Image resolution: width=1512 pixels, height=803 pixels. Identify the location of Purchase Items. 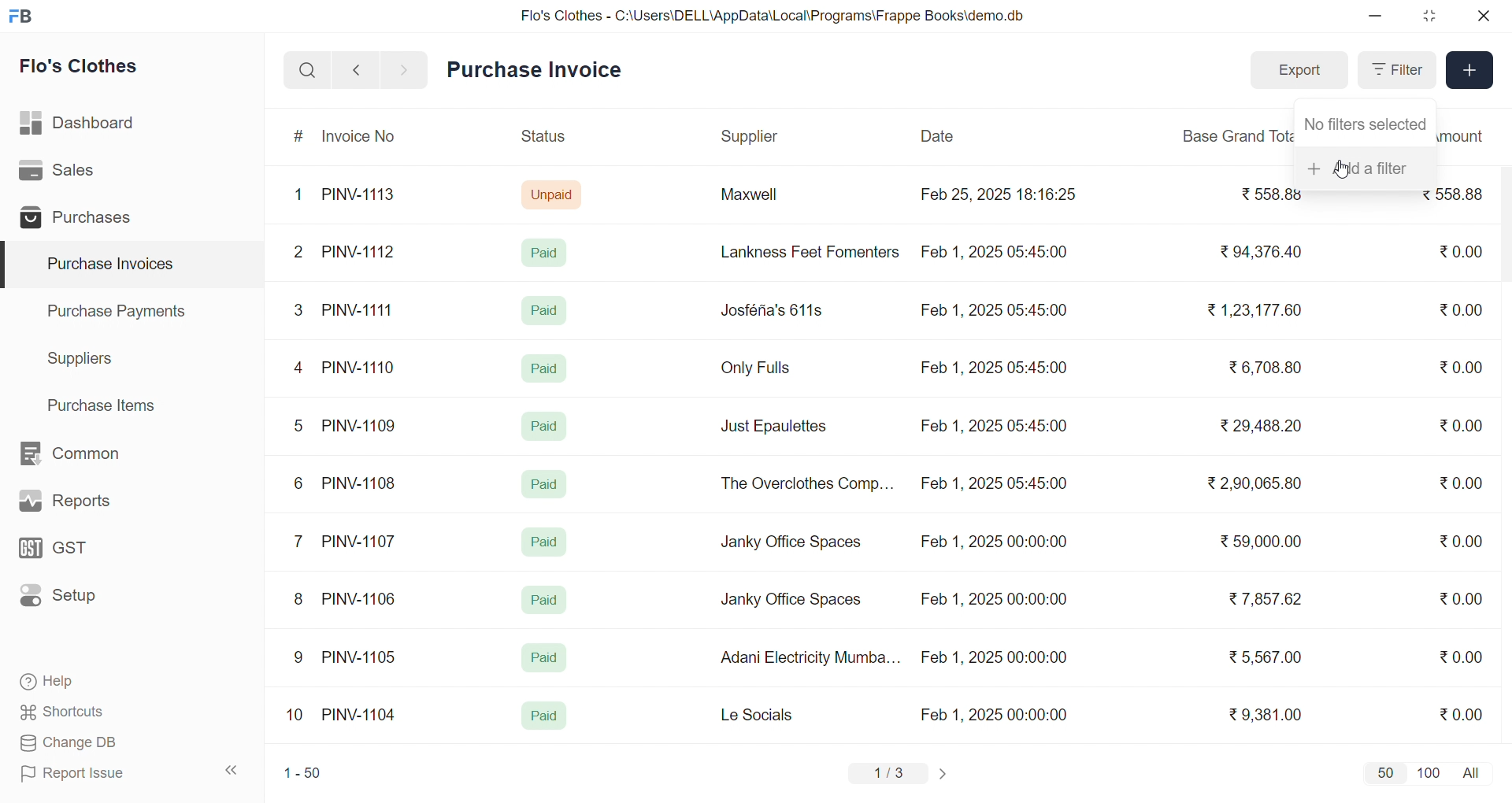
(107, 403).